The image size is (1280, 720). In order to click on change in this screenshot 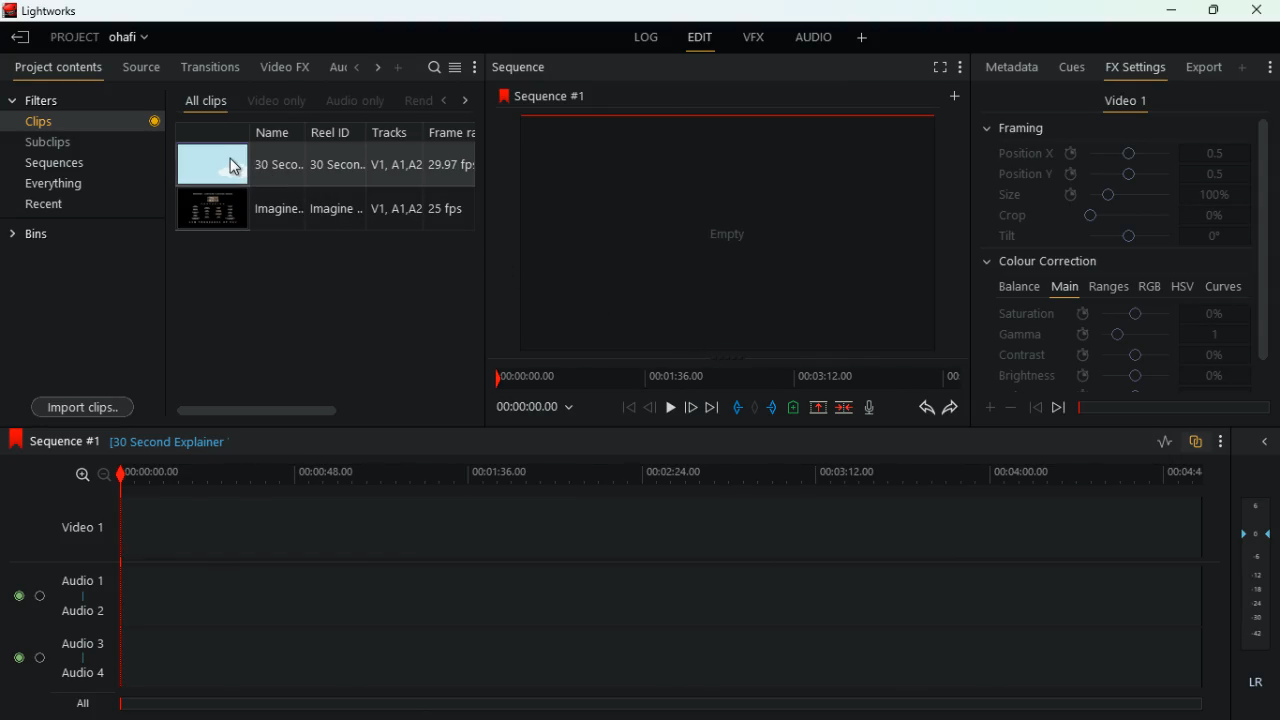, I will do `click(374, 68)`.